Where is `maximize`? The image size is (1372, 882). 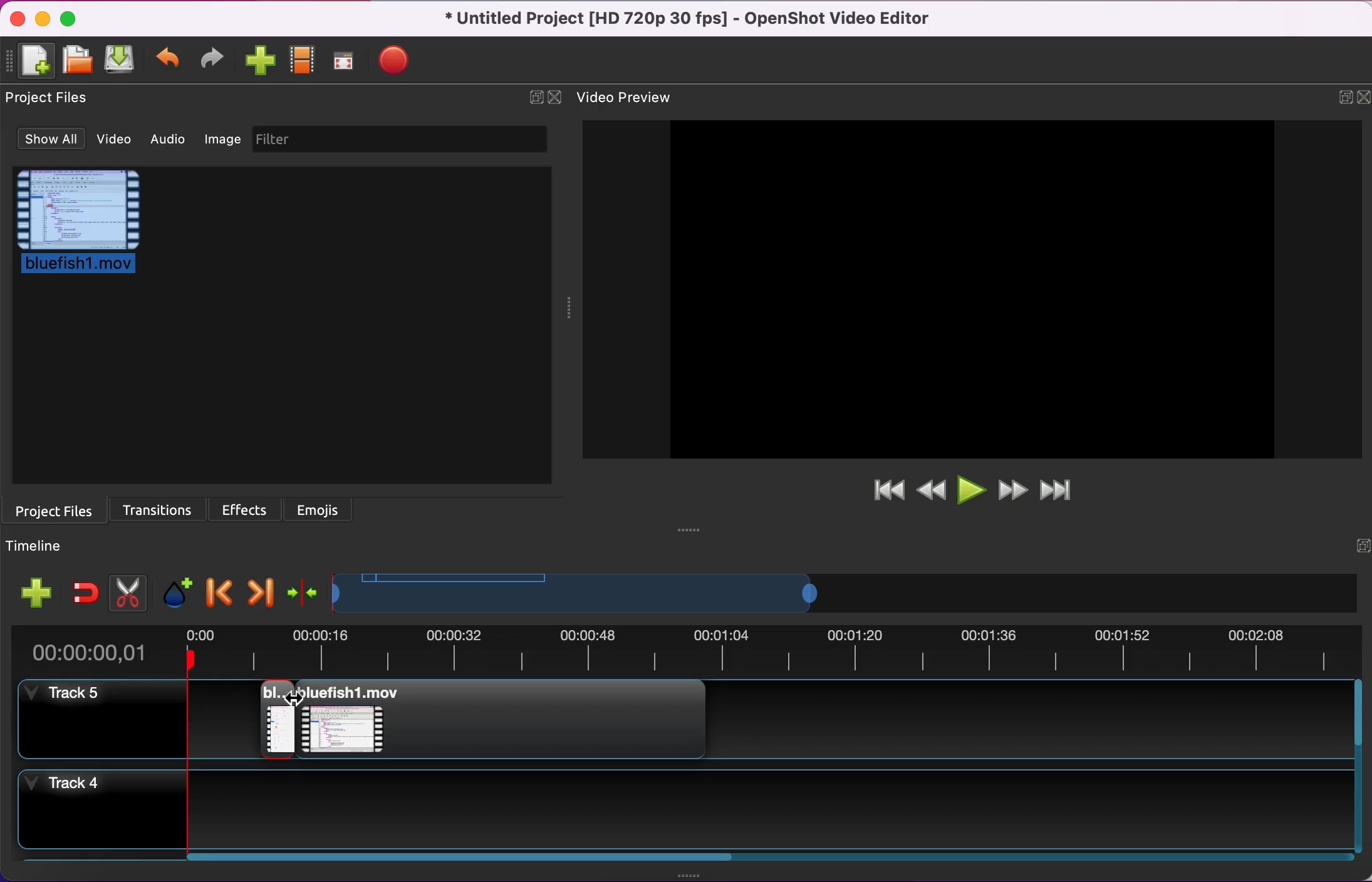
maximize is located at coordinates (72, 19).